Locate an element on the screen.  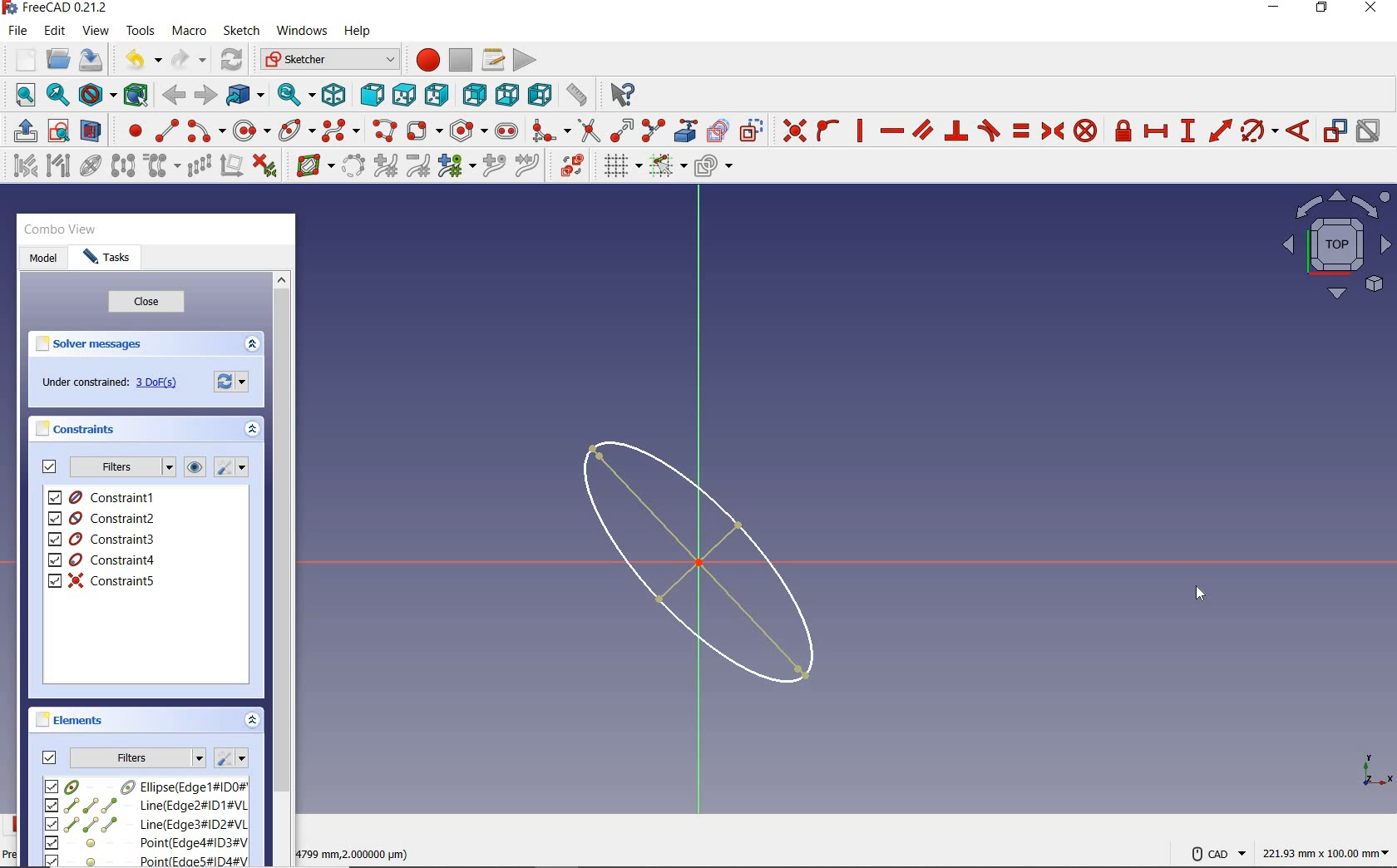
settings is located at coordinates (230, 467).